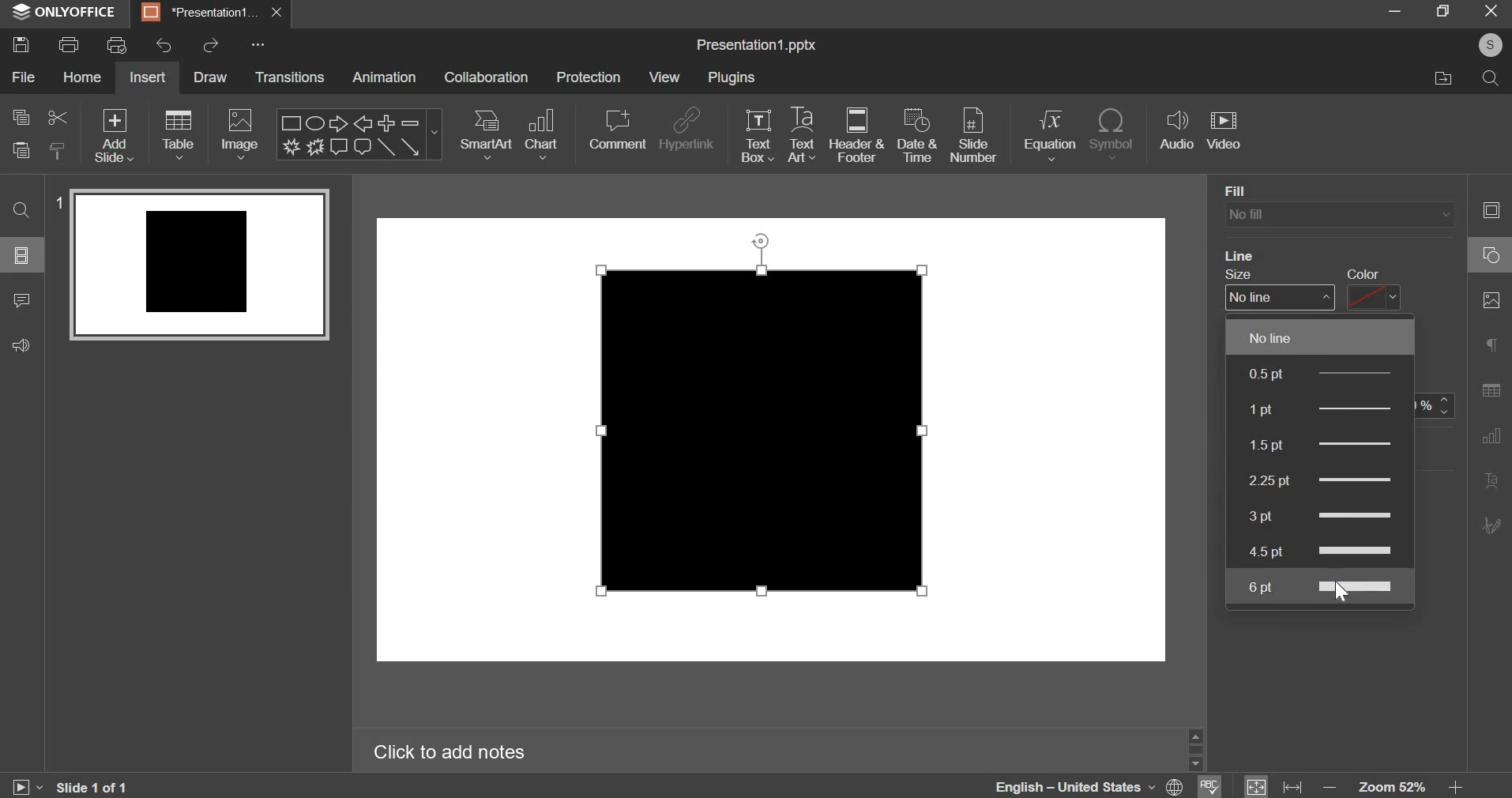 The height and width of the screenshot is (798, 1512). I want to click on zoom, so click(1397, 783).